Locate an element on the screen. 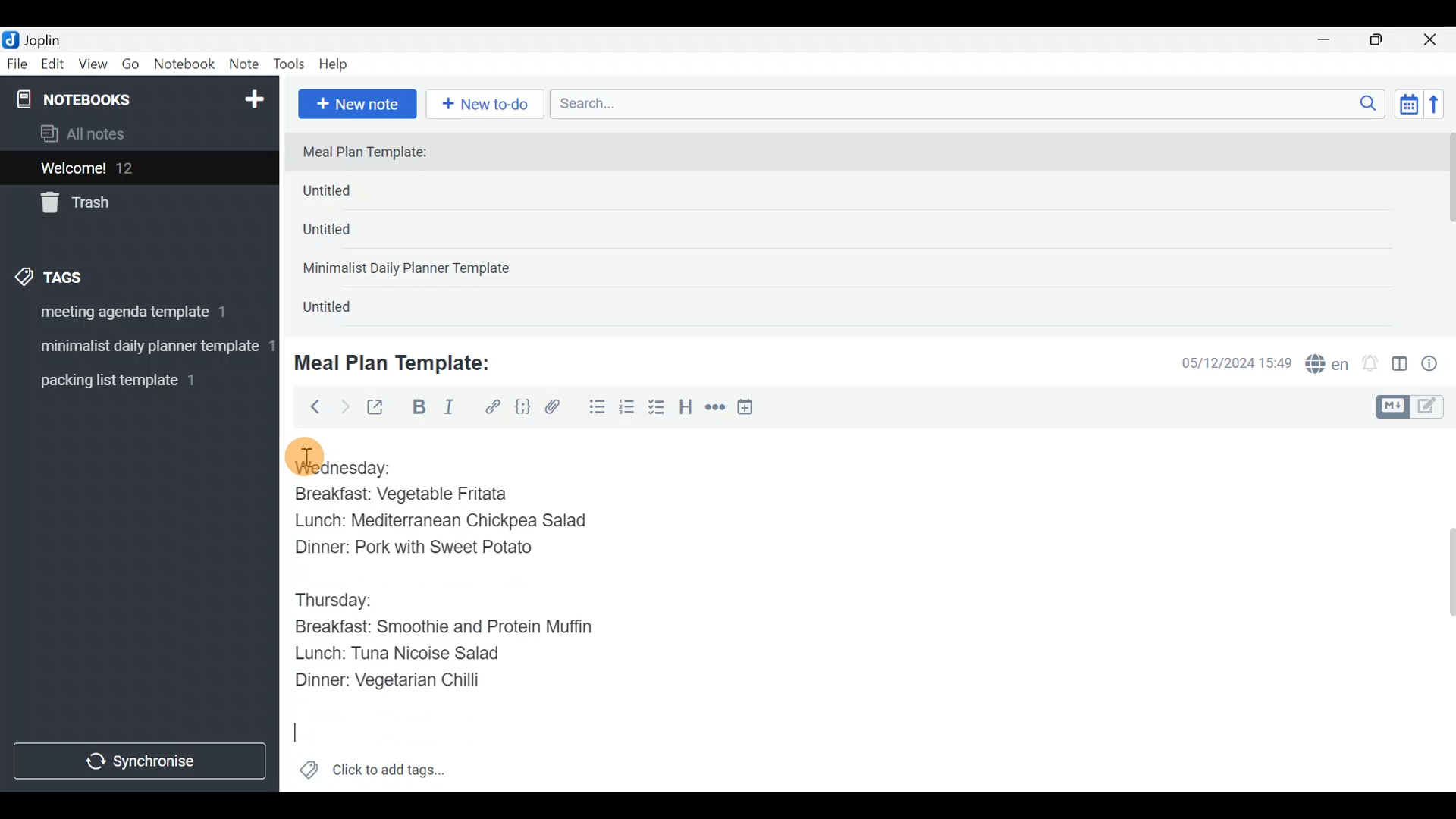 The height and width of the screenshot is (819, 1456). Cursor is located at coordinates (298, 726).